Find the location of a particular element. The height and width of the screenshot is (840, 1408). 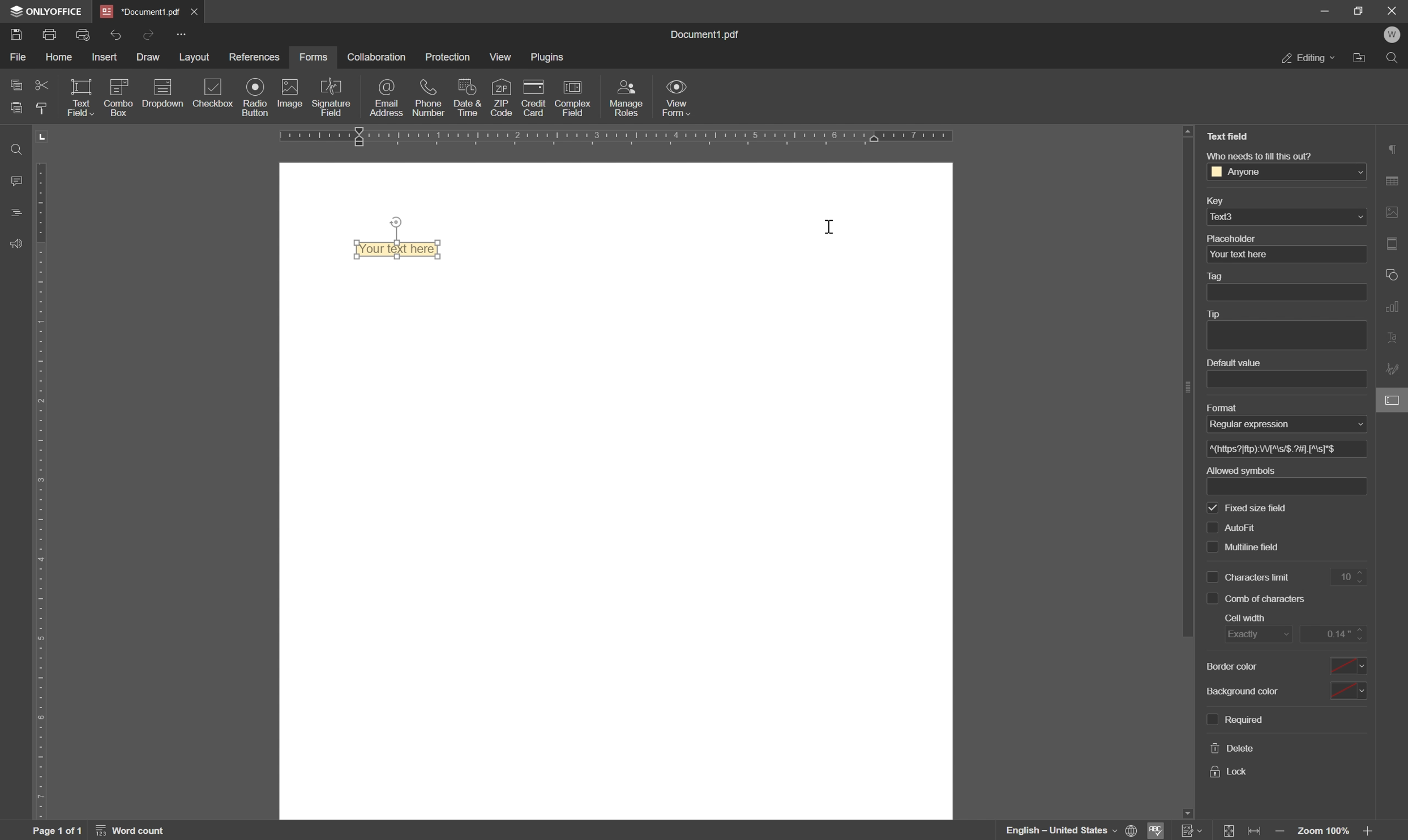

who needs to fill this out? is located at coordinates (1257, 155).